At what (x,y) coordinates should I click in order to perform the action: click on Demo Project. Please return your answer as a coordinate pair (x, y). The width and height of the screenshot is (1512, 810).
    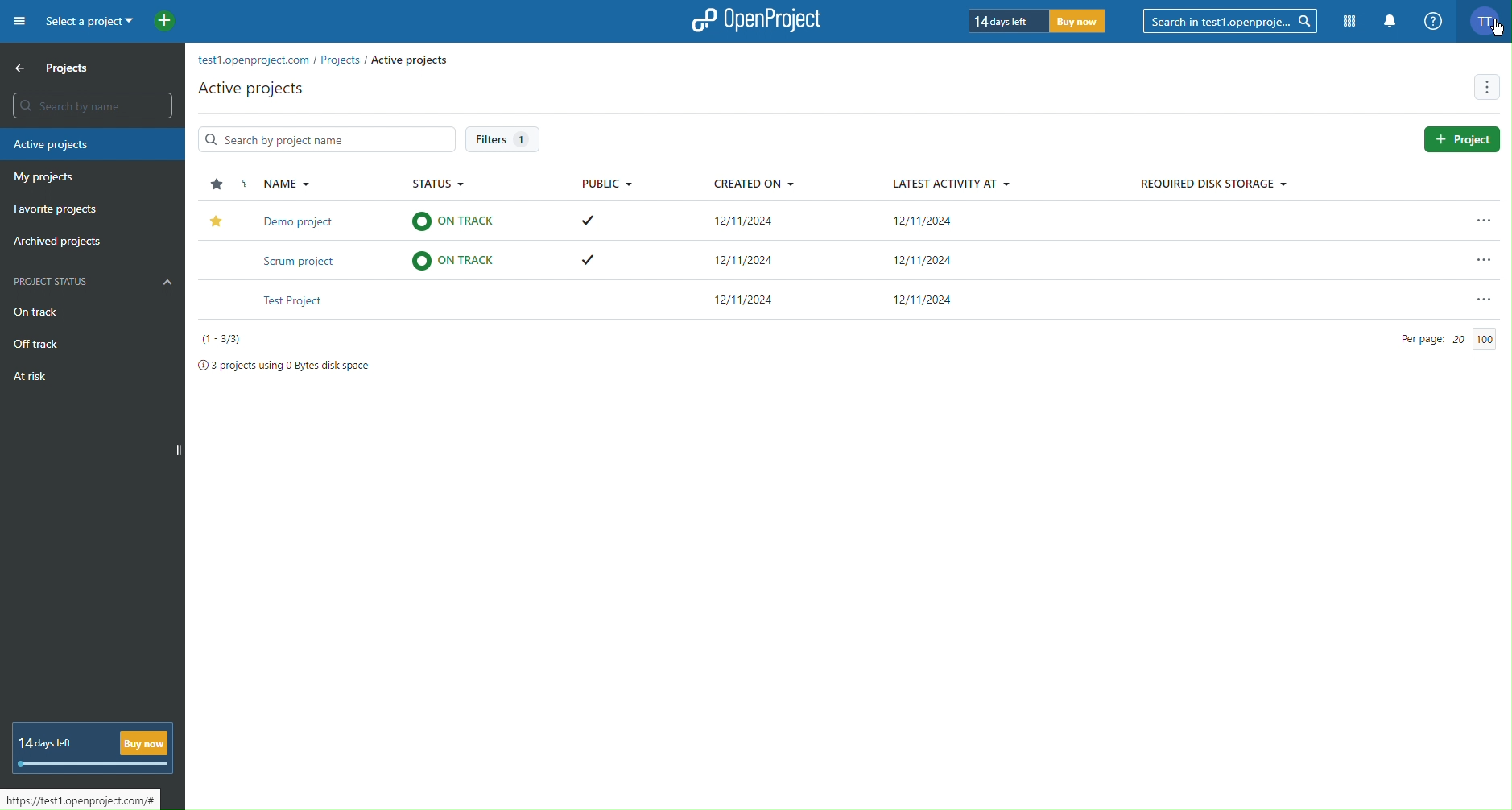
    Looking at the image, I should click on (306, 221).